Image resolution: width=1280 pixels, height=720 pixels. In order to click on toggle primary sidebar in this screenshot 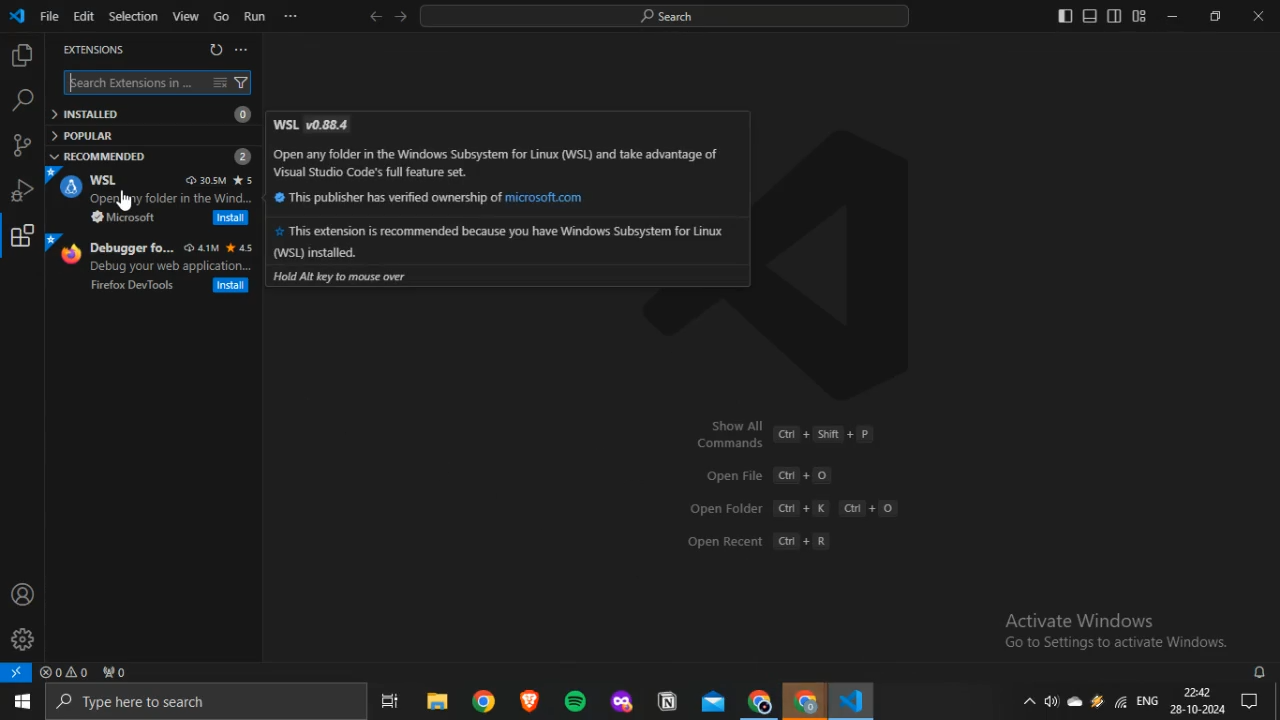, I will do `click(1065, 15)`.